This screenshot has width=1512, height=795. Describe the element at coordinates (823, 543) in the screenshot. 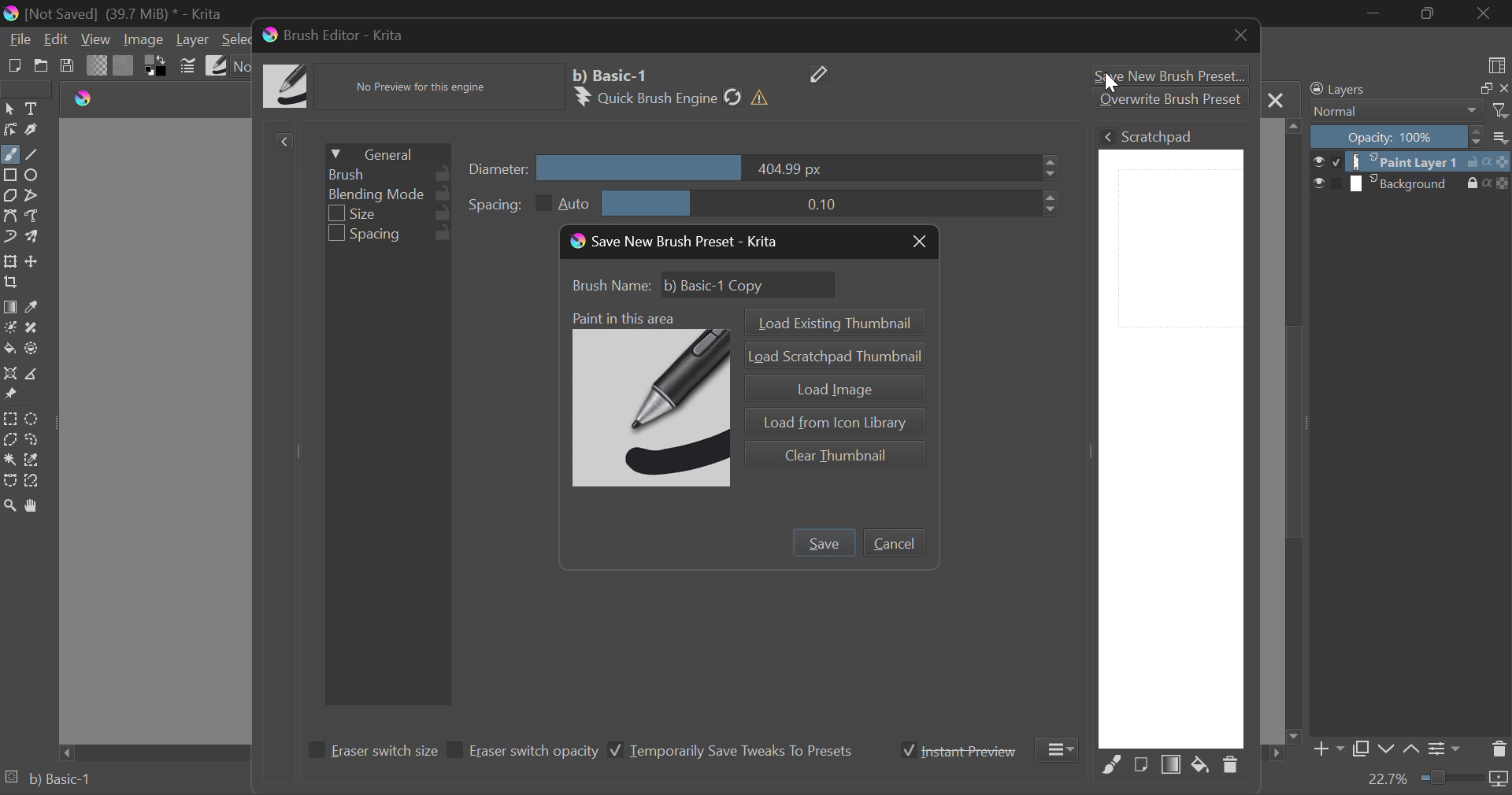

I see `Press Enter to Save` at that location.